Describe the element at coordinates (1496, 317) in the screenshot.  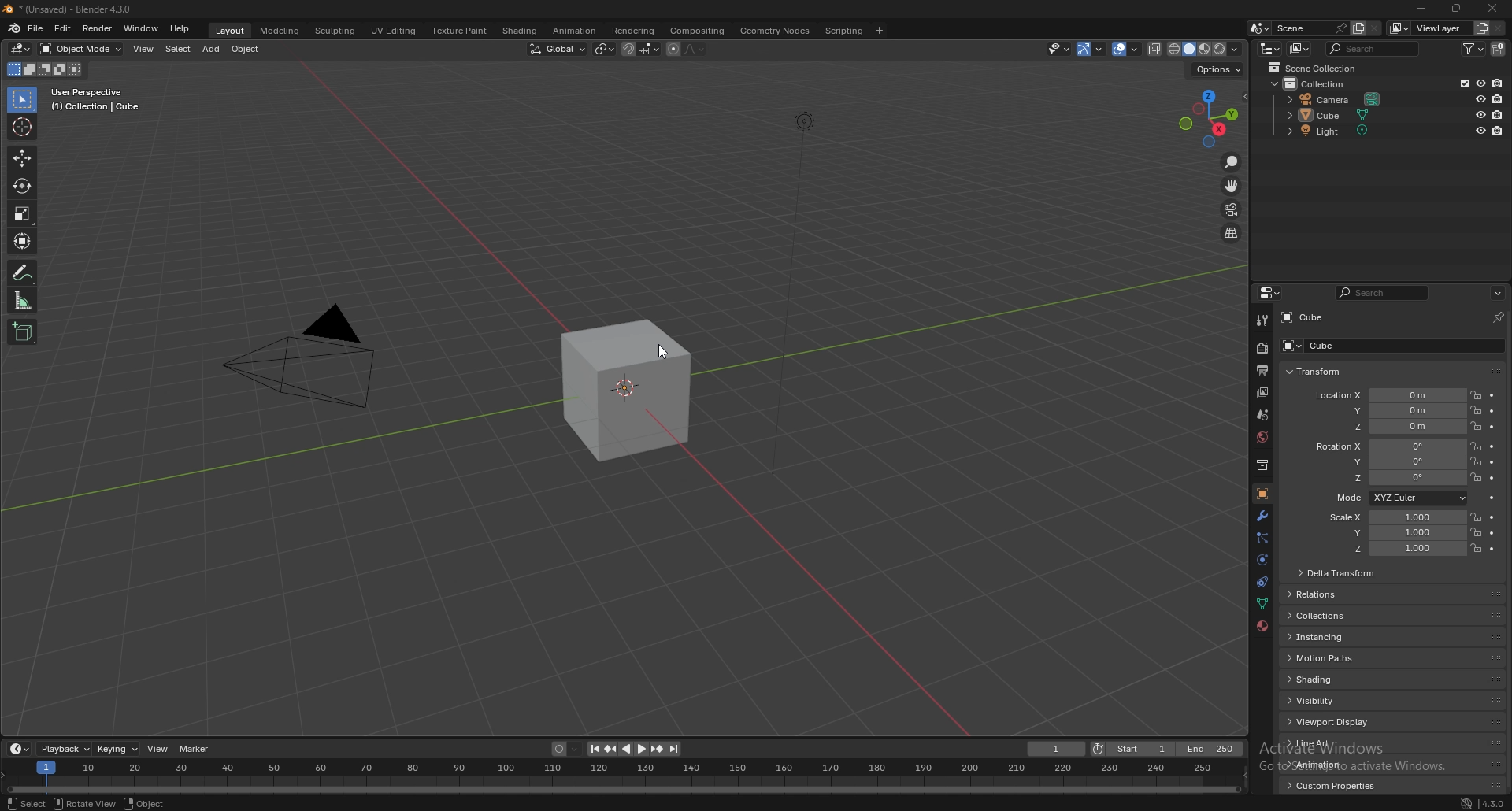
I see `pin` at that location.